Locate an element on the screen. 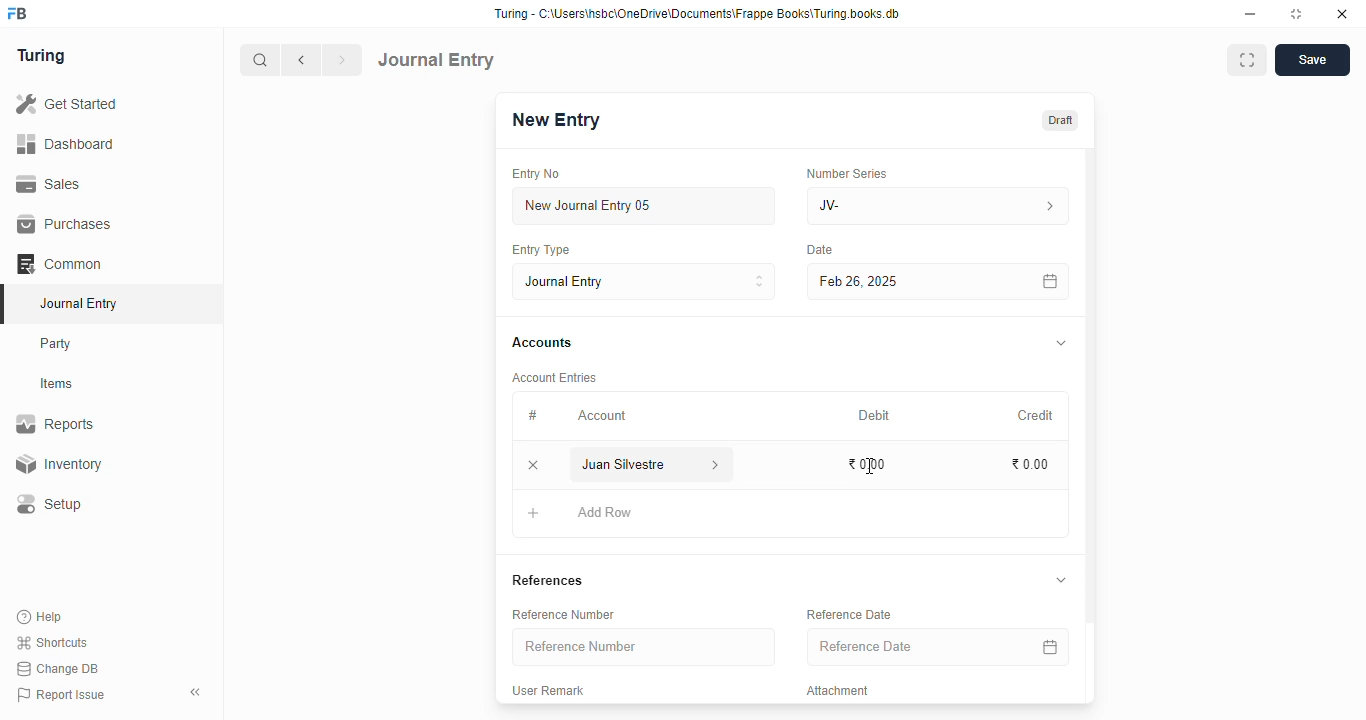 The width and height of the screenshot is (1366, 720). cursor is located at coordinates (869, 466).